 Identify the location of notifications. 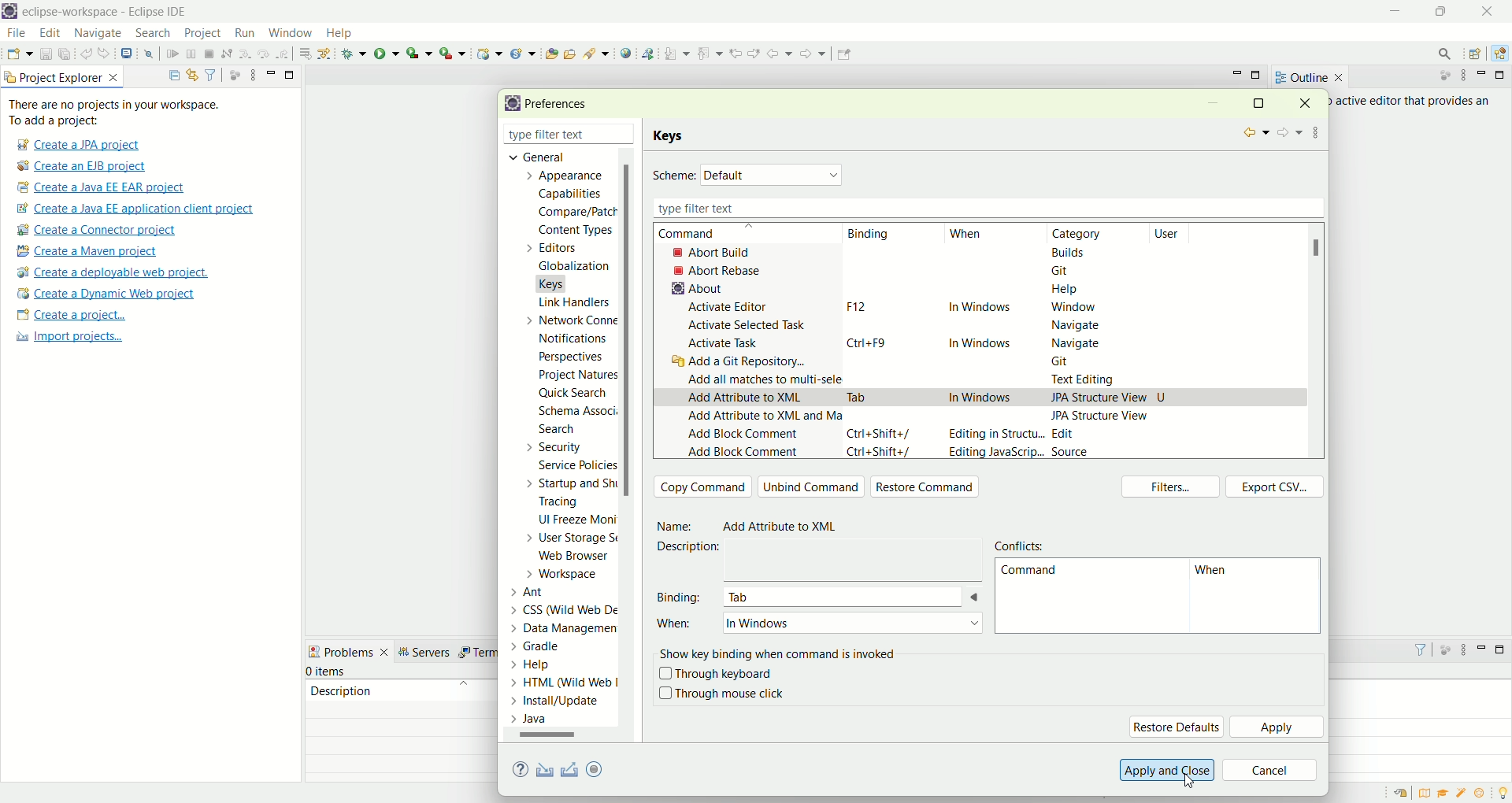
(578, 338).